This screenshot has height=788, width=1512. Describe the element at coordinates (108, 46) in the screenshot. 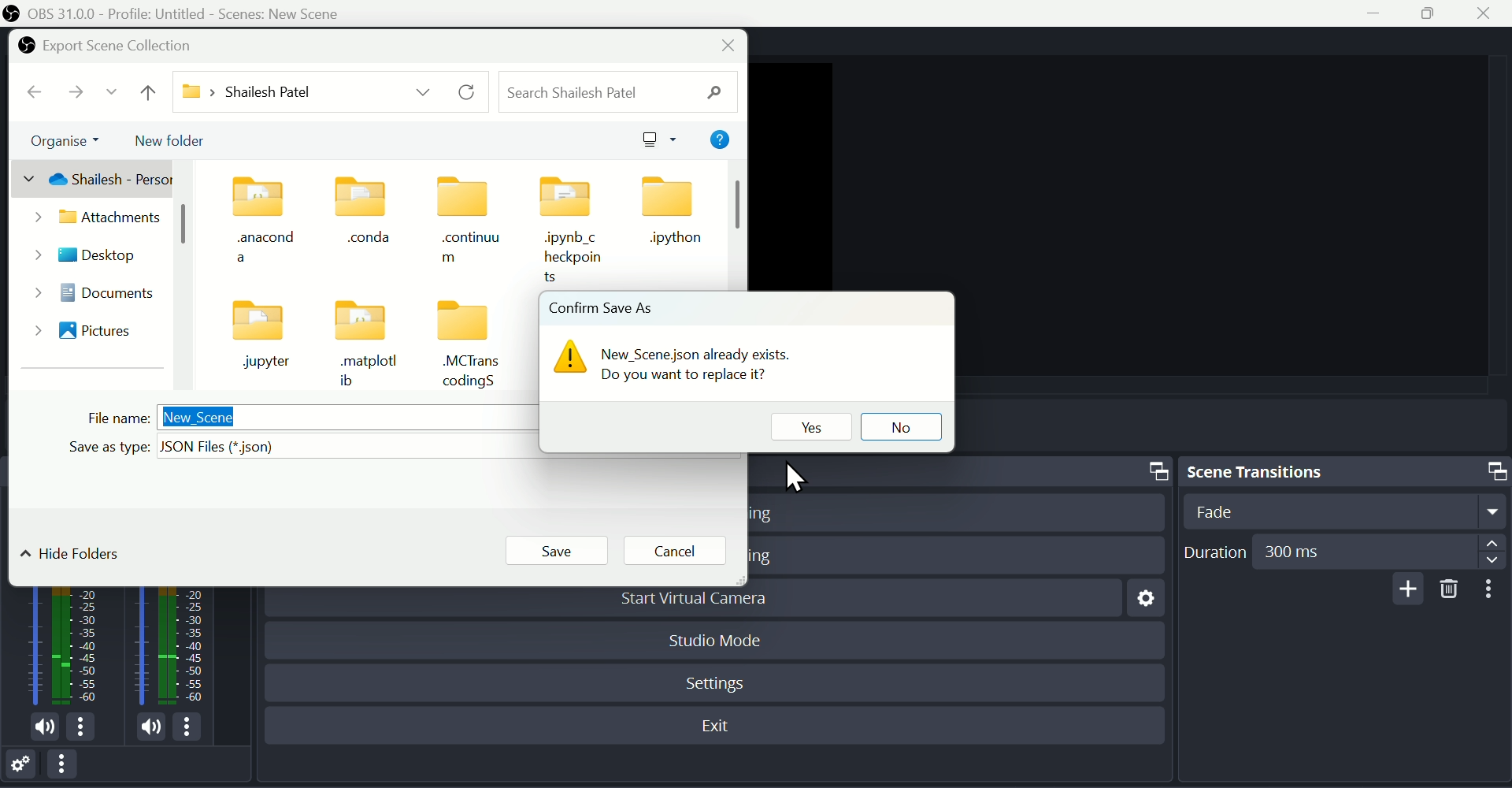

I see `Export scene collection` at that location.